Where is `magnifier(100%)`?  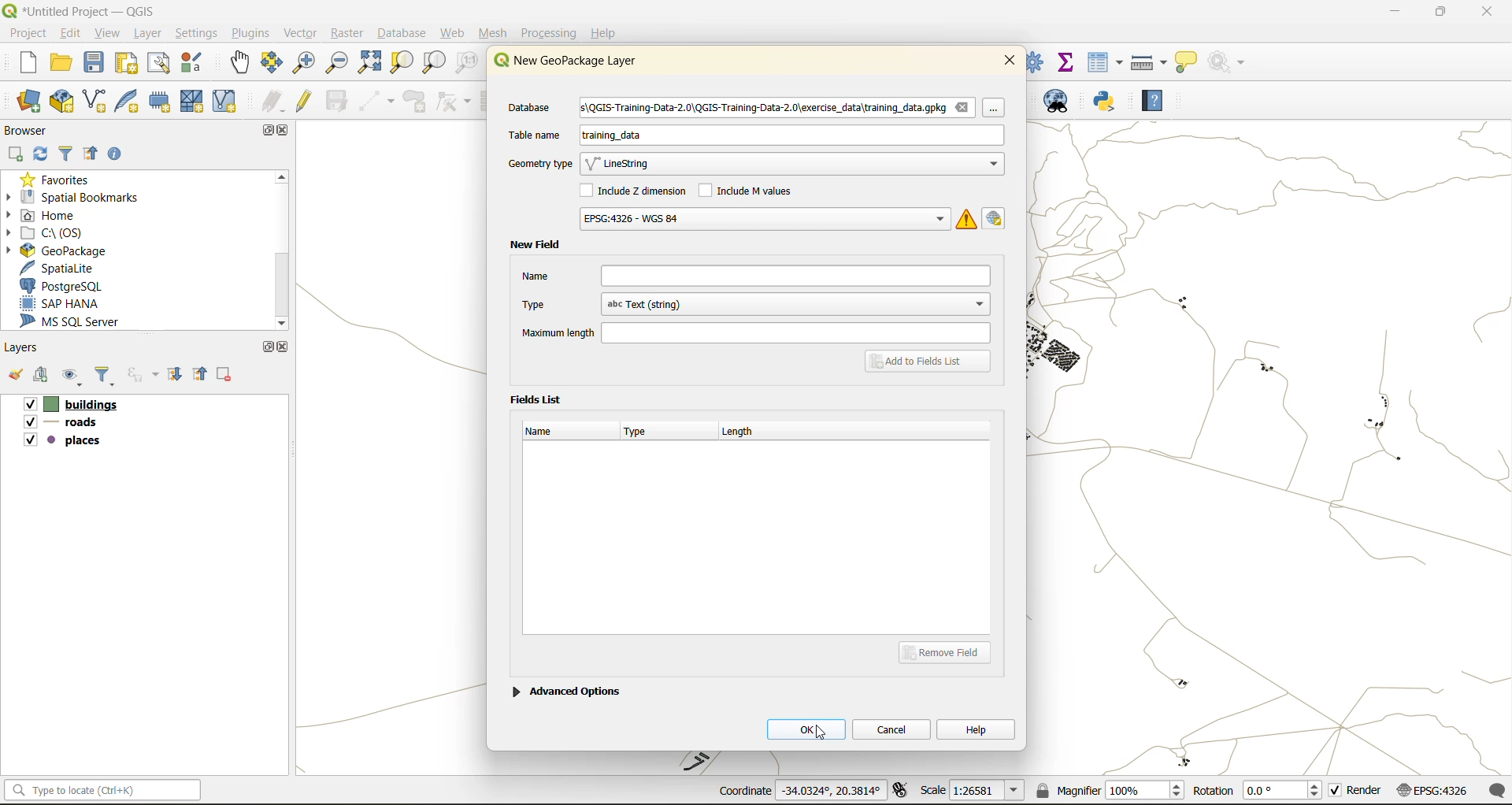 magnifier(100%) is located at coordinates (1106, 790).